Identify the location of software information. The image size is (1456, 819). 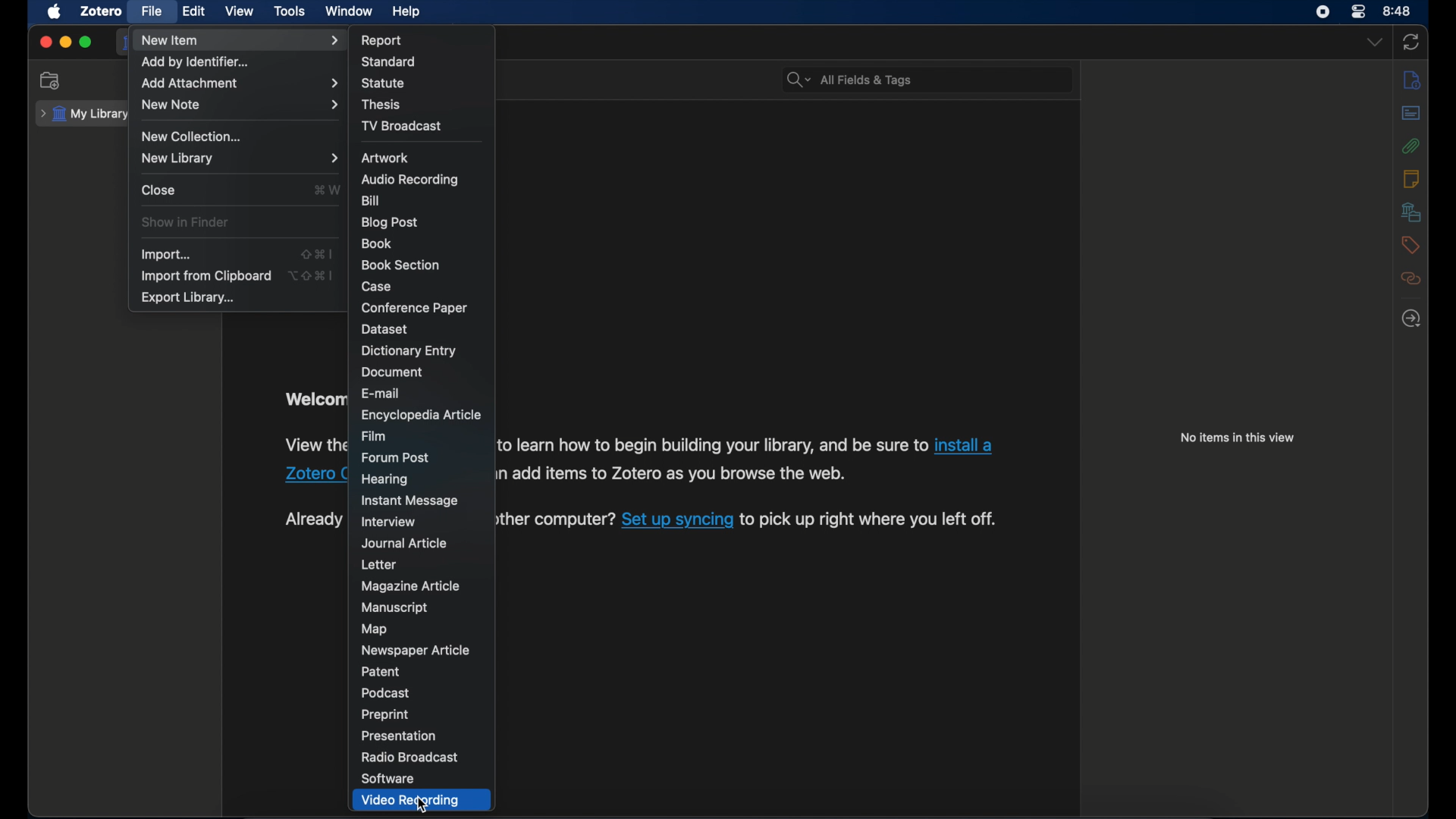
(714, 445).